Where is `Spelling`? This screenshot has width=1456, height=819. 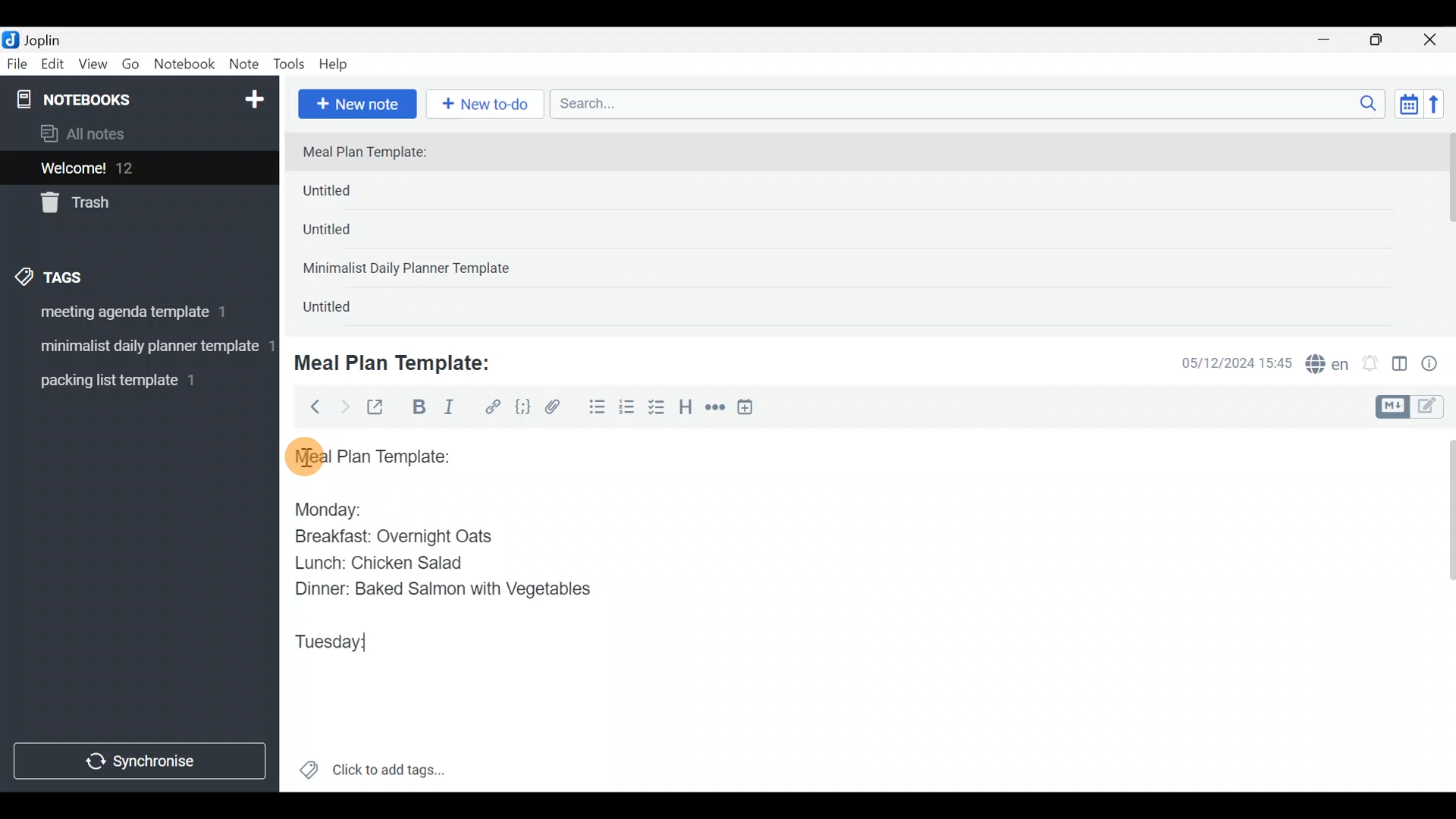
Spelling is located at coordinates (1328, 366).